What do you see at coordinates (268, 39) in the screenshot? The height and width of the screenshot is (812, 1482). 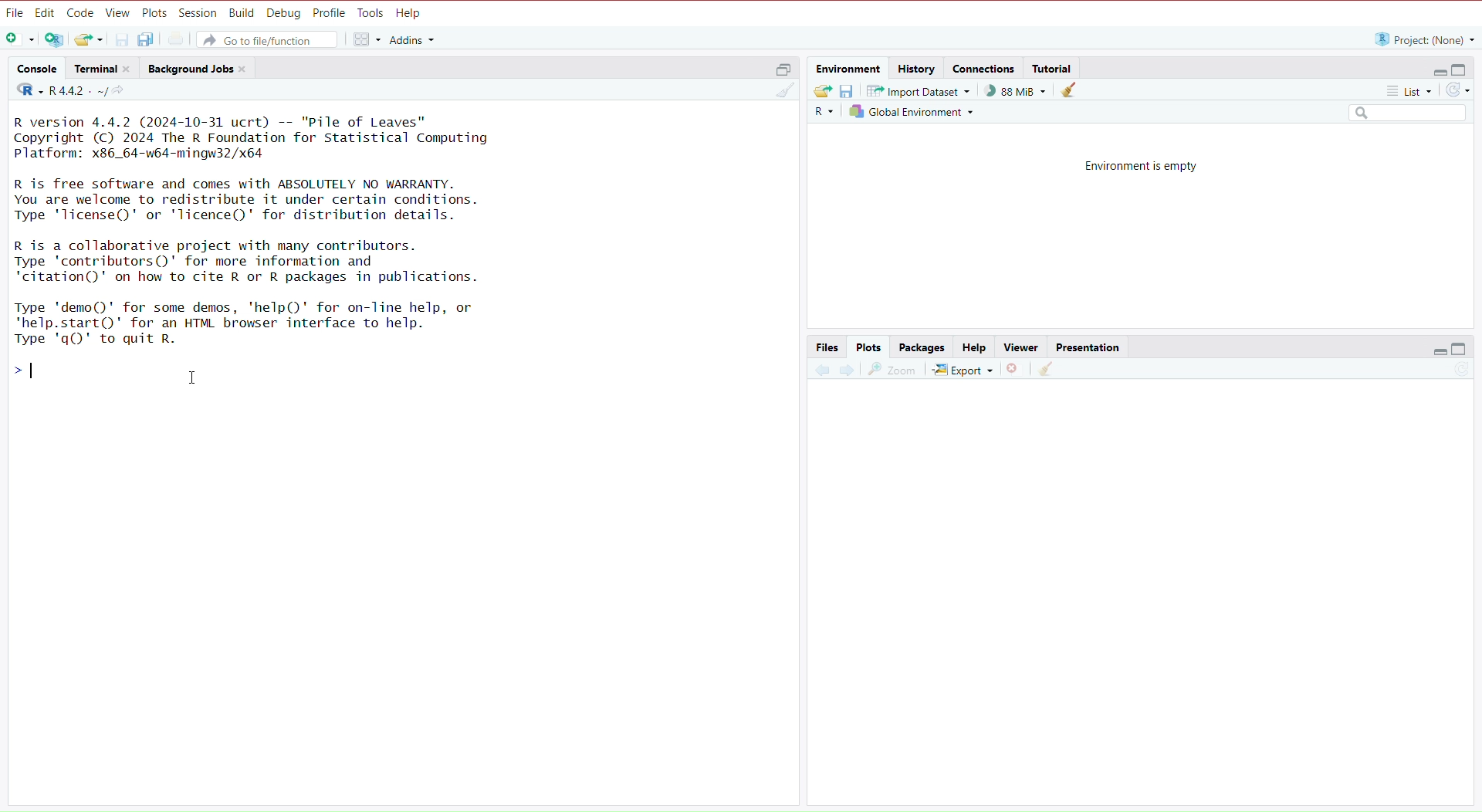 I see `Go to file/function` at bounding box center [268, 39].